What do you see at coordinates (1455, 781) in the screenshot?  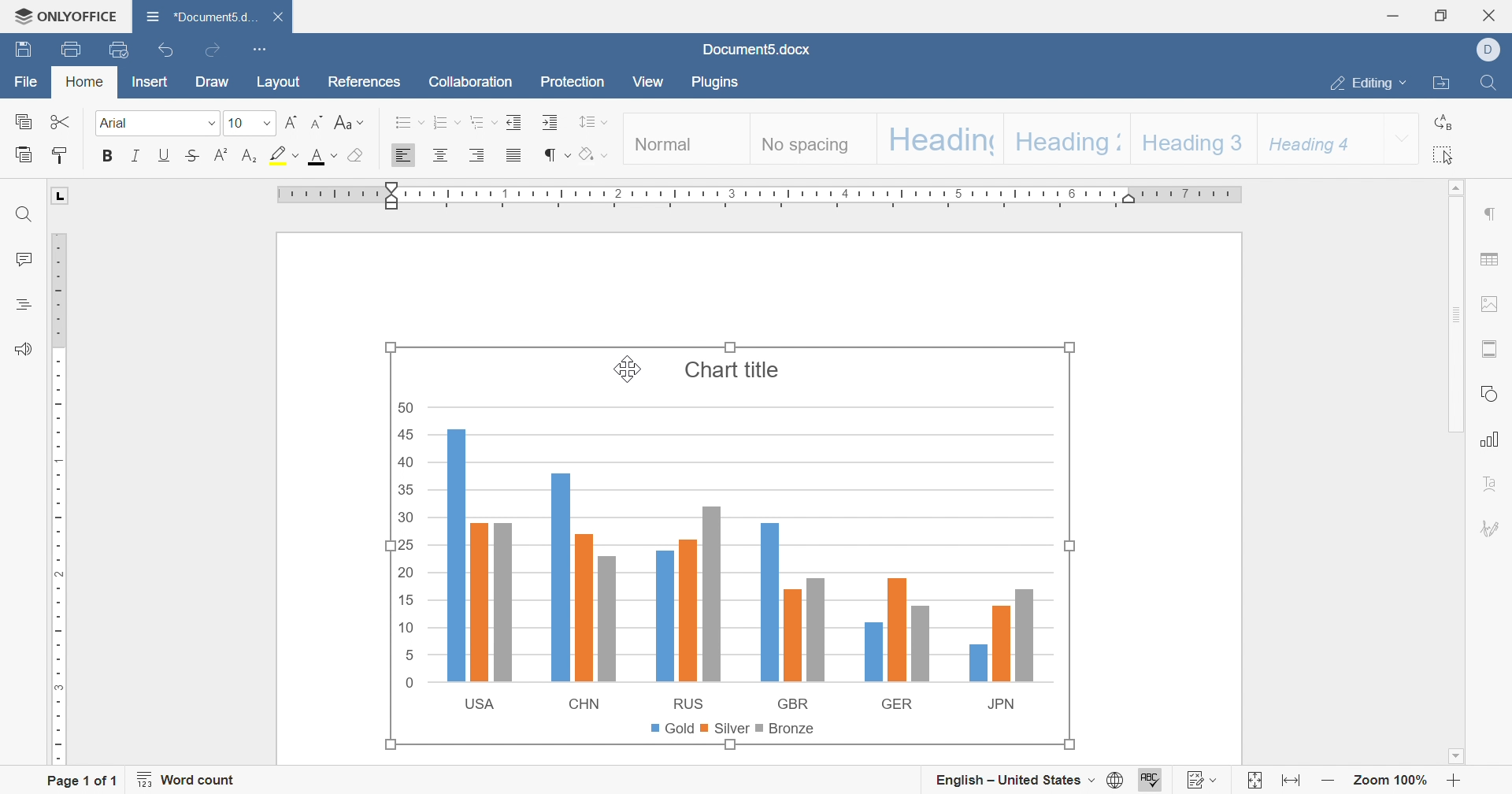 I see `zoom in` at bounding box center [1455, 781].